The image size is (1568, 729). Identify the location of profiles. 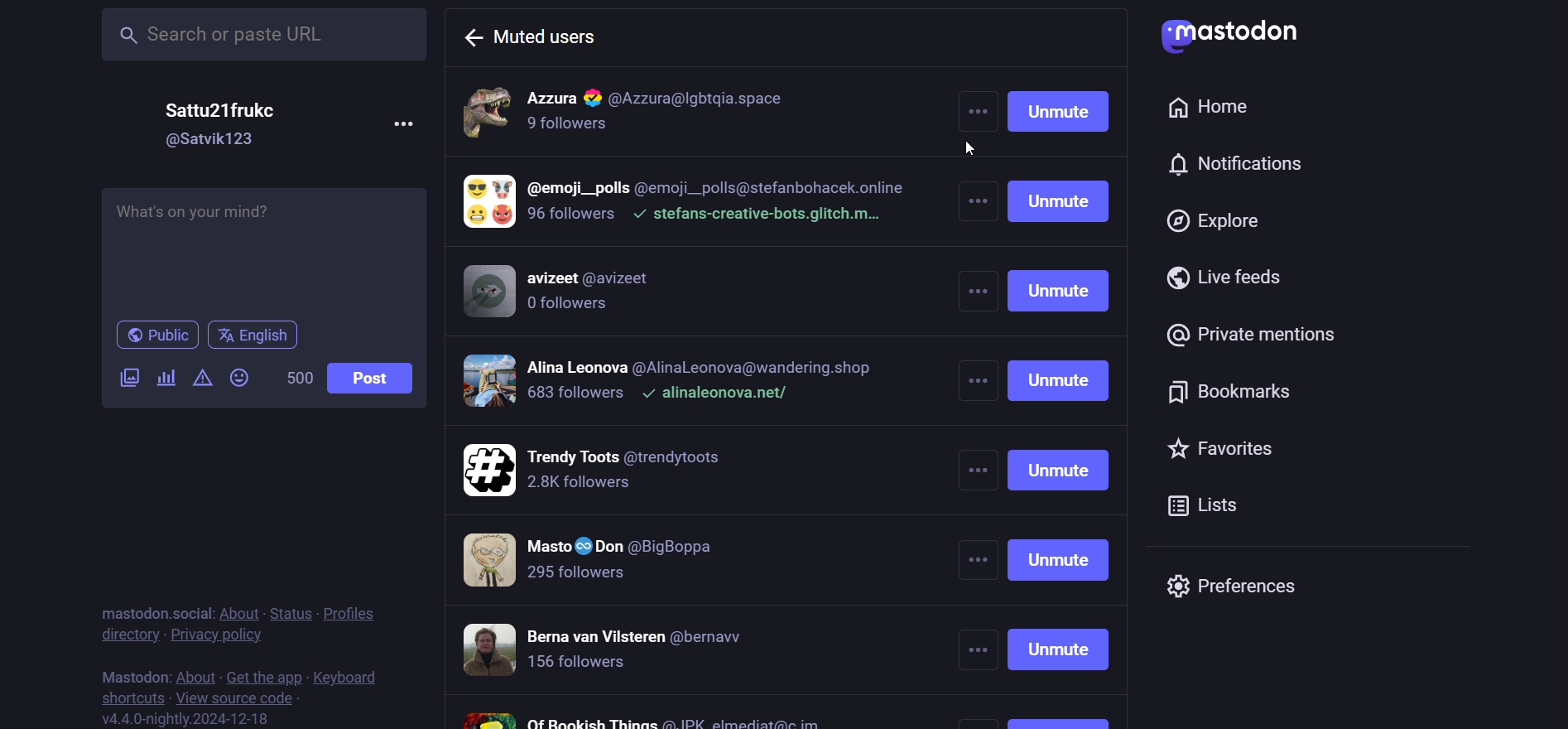
(349, 616).